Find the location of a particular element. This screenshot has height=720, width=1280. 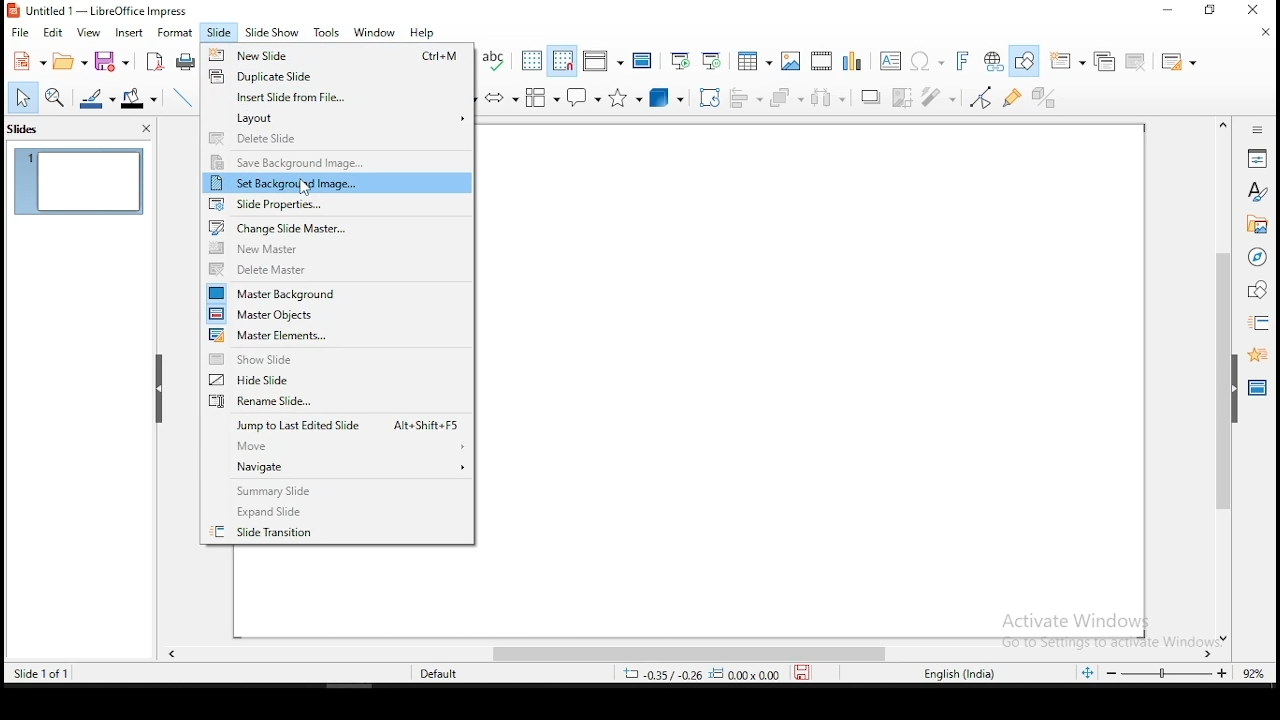

callout shapes is located at coordinates (583, 97).